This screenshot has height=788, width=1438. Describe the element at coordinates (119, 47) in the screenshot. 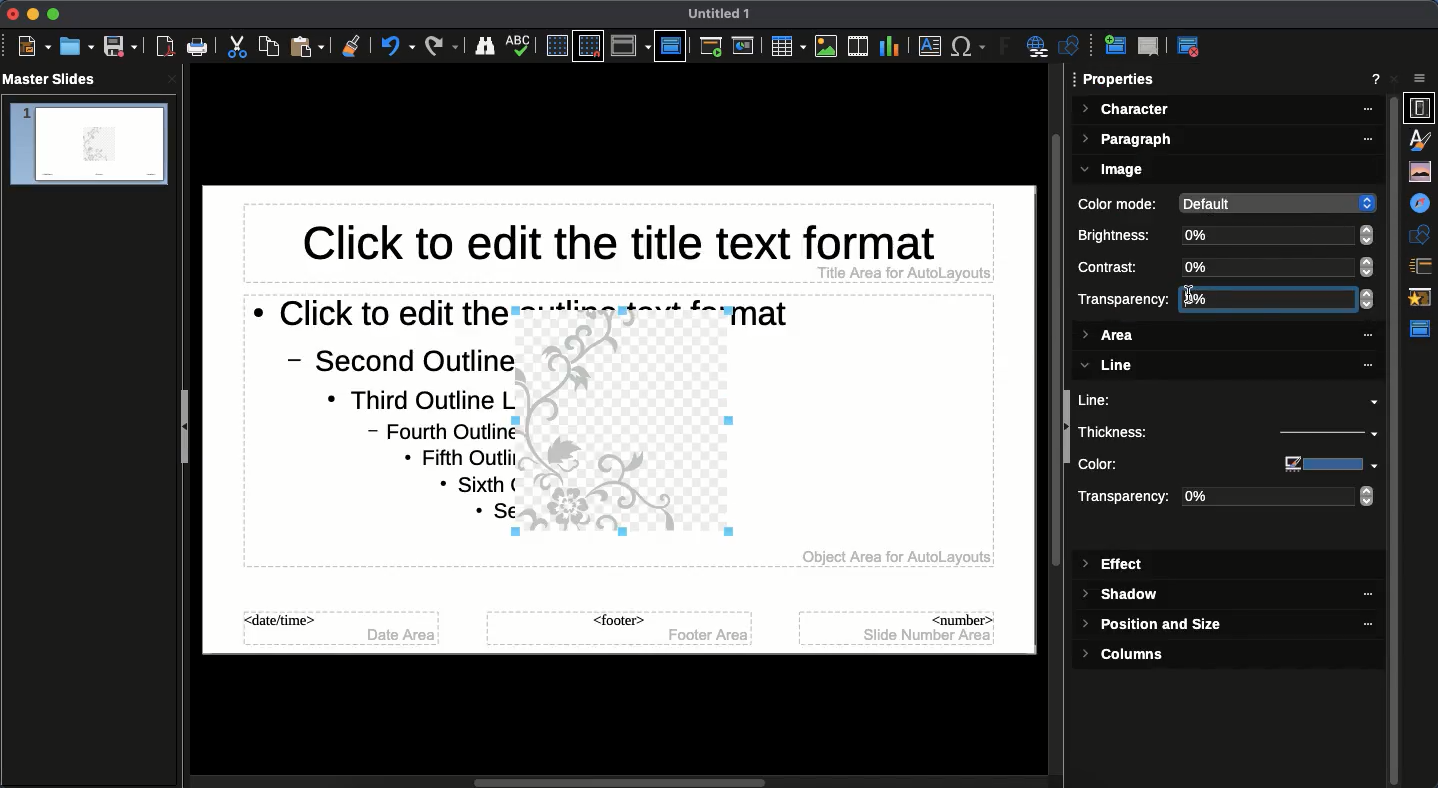

I see `Save` at that location.